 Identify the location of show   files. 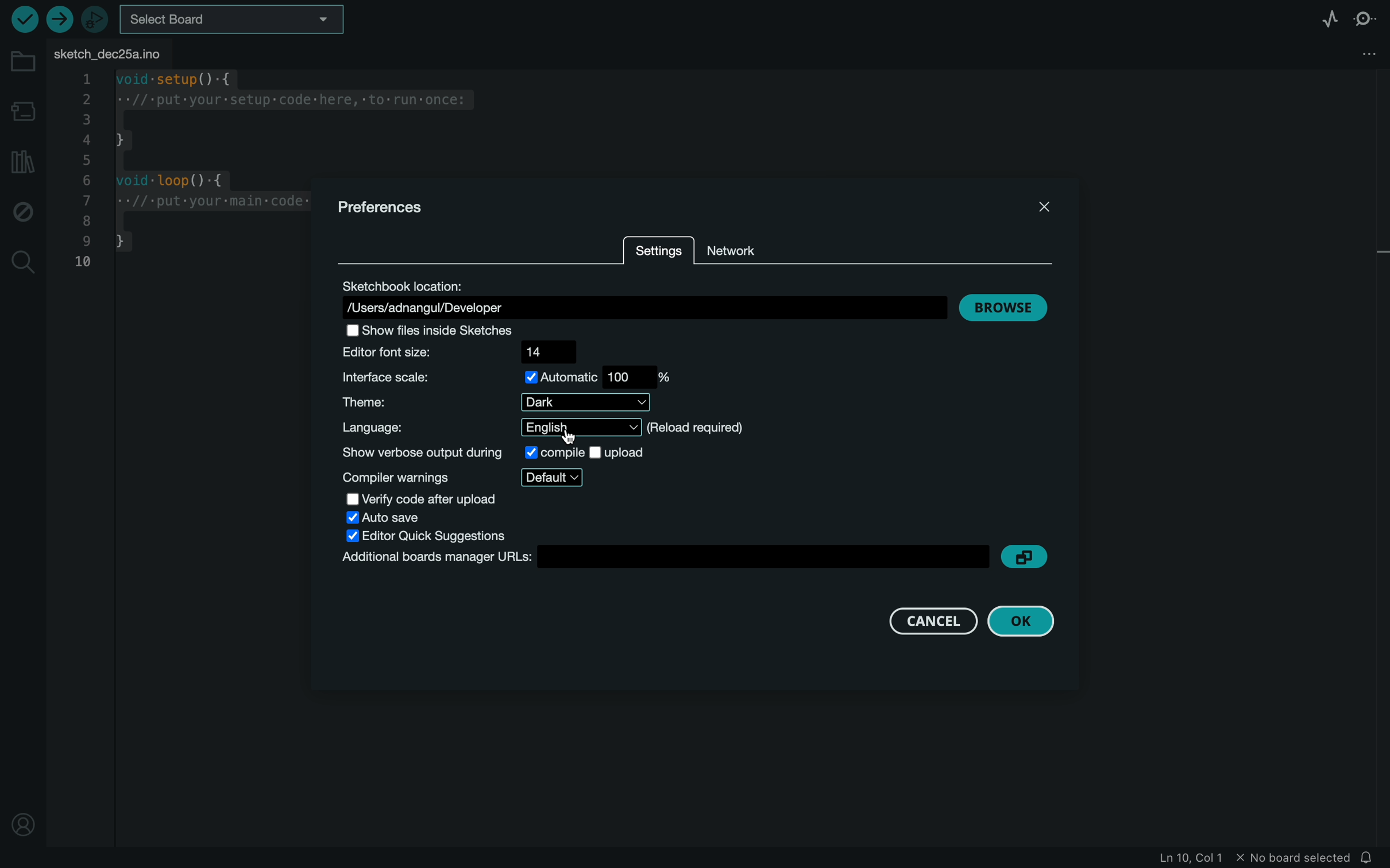
(439, 330).